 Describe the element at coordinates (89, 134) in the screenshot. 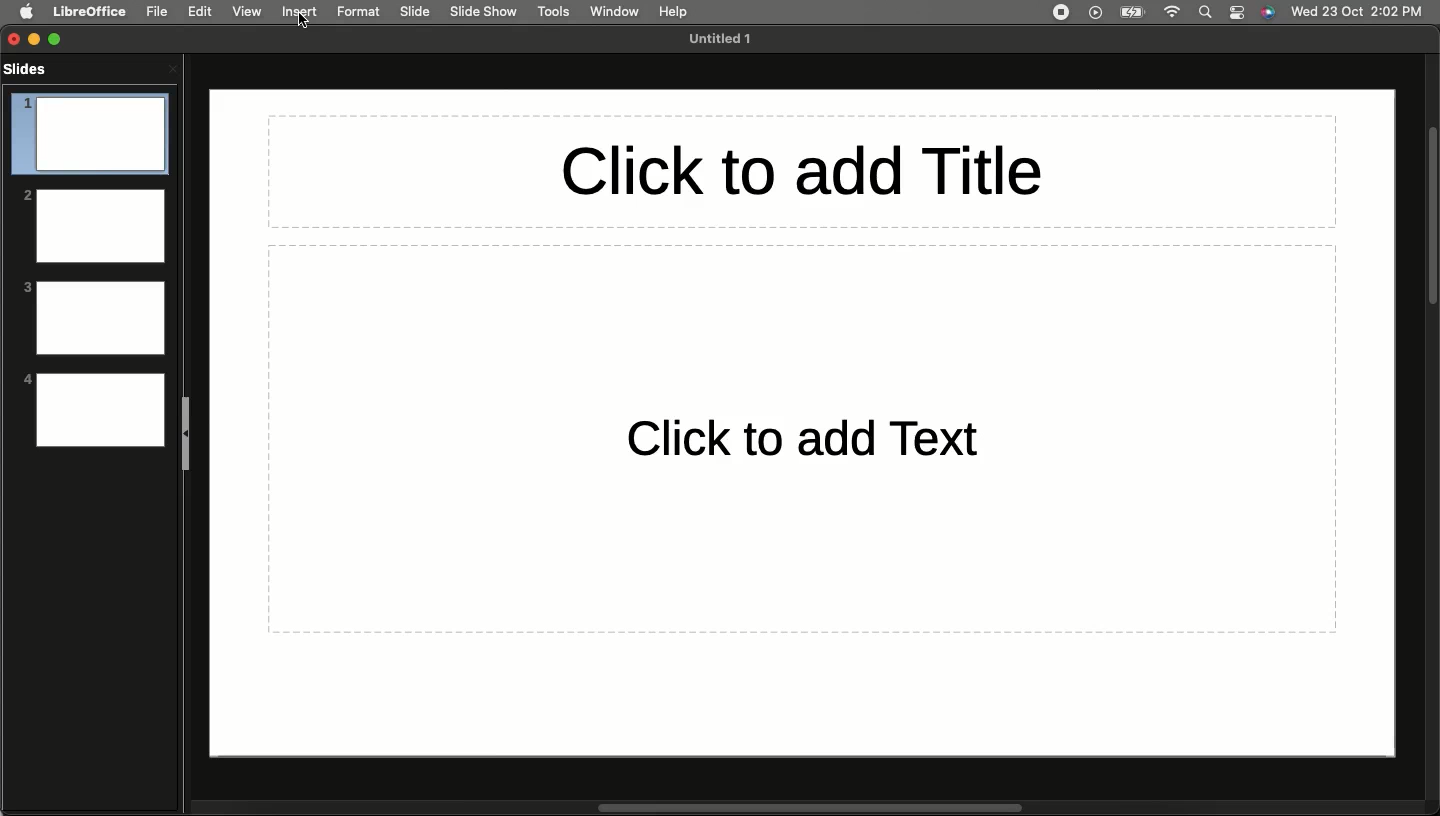

I see `1` at that location.